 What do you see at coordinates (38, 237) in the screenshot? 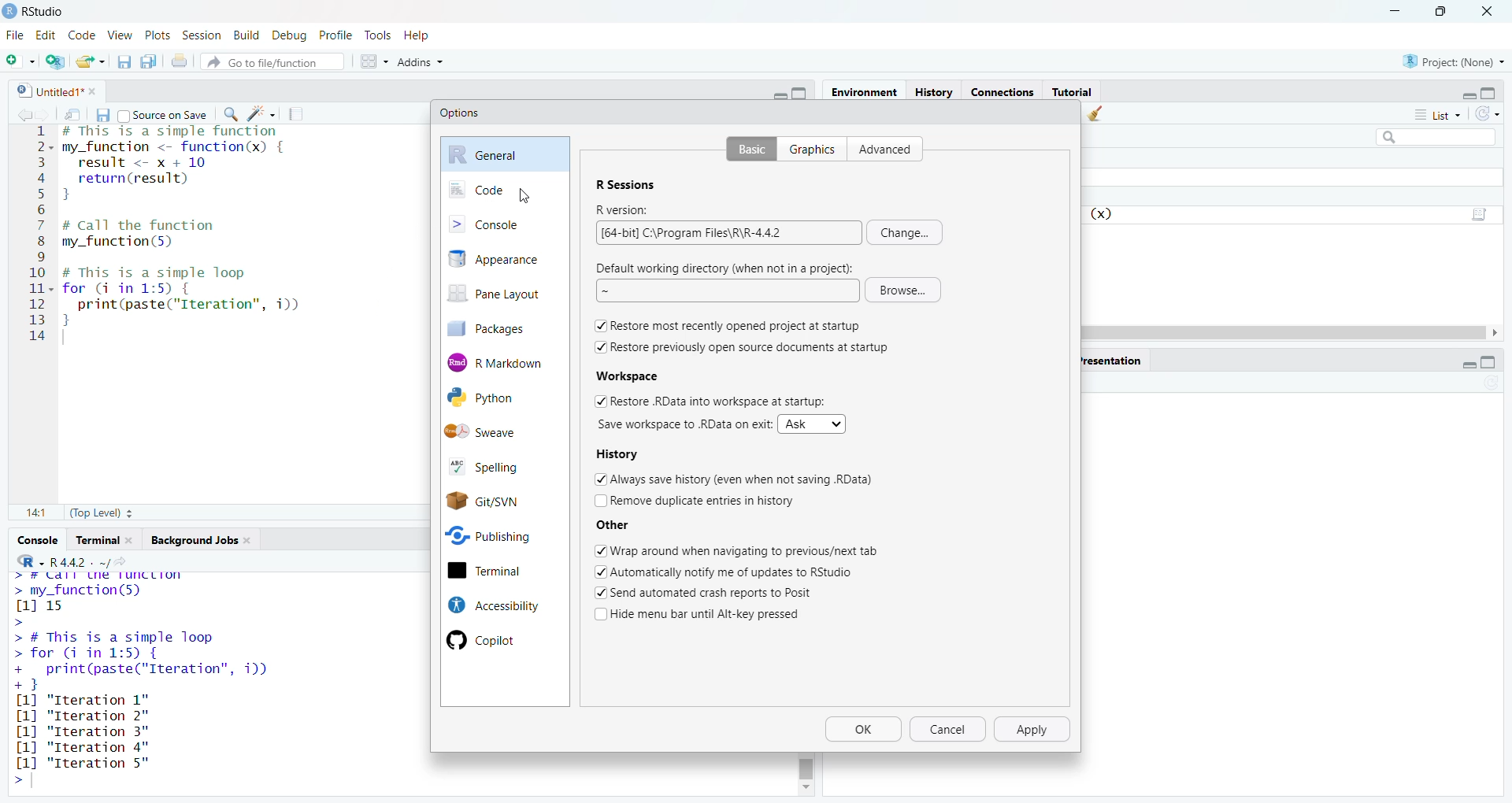
I see `serial numbers` at bounding box center [38, 237].